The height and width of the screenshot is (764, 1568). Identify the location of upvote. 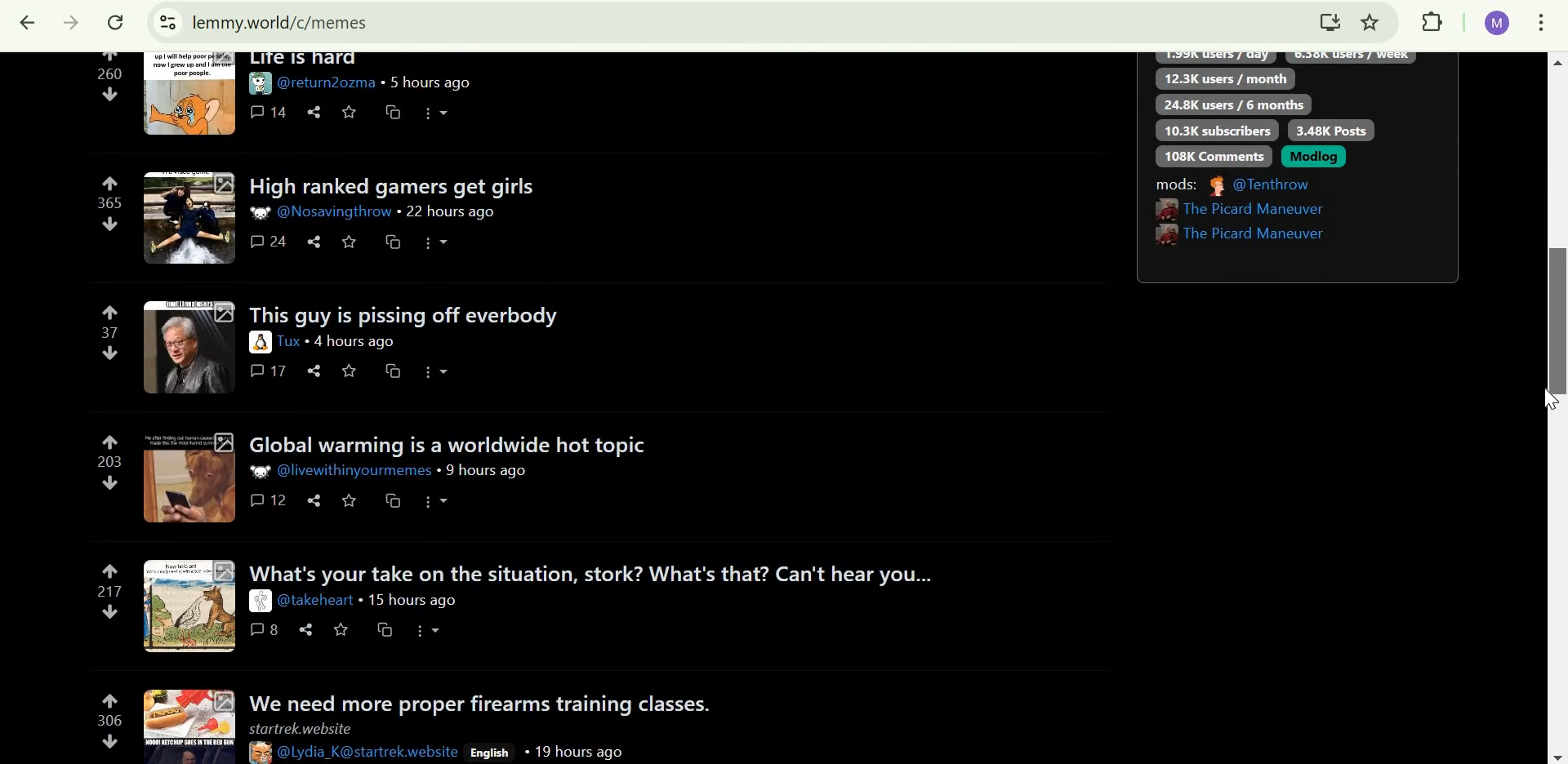
(109, 57).